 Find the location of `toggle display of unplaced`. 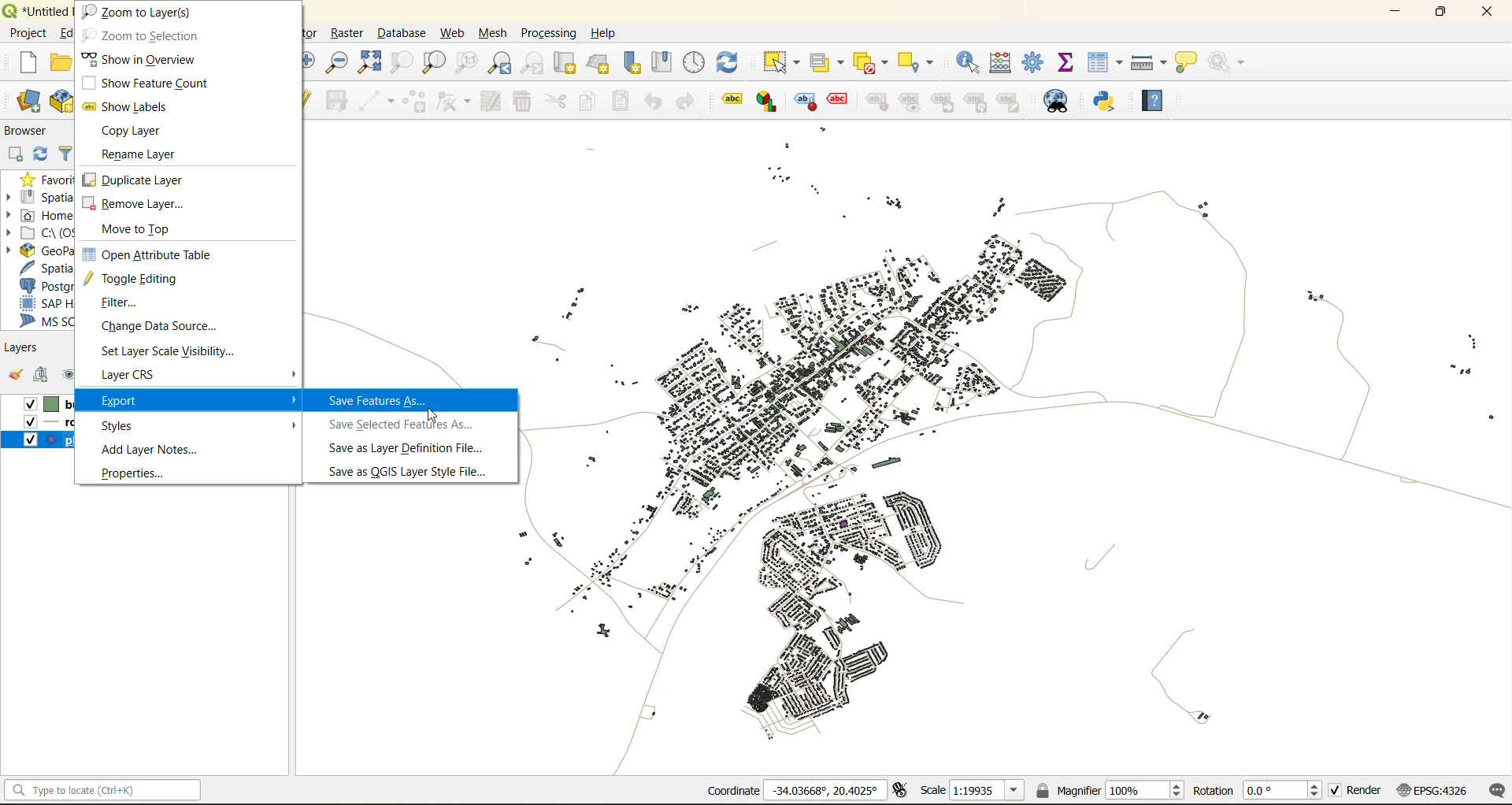

toggle display of unplaced is located at coordinates (839, 102).